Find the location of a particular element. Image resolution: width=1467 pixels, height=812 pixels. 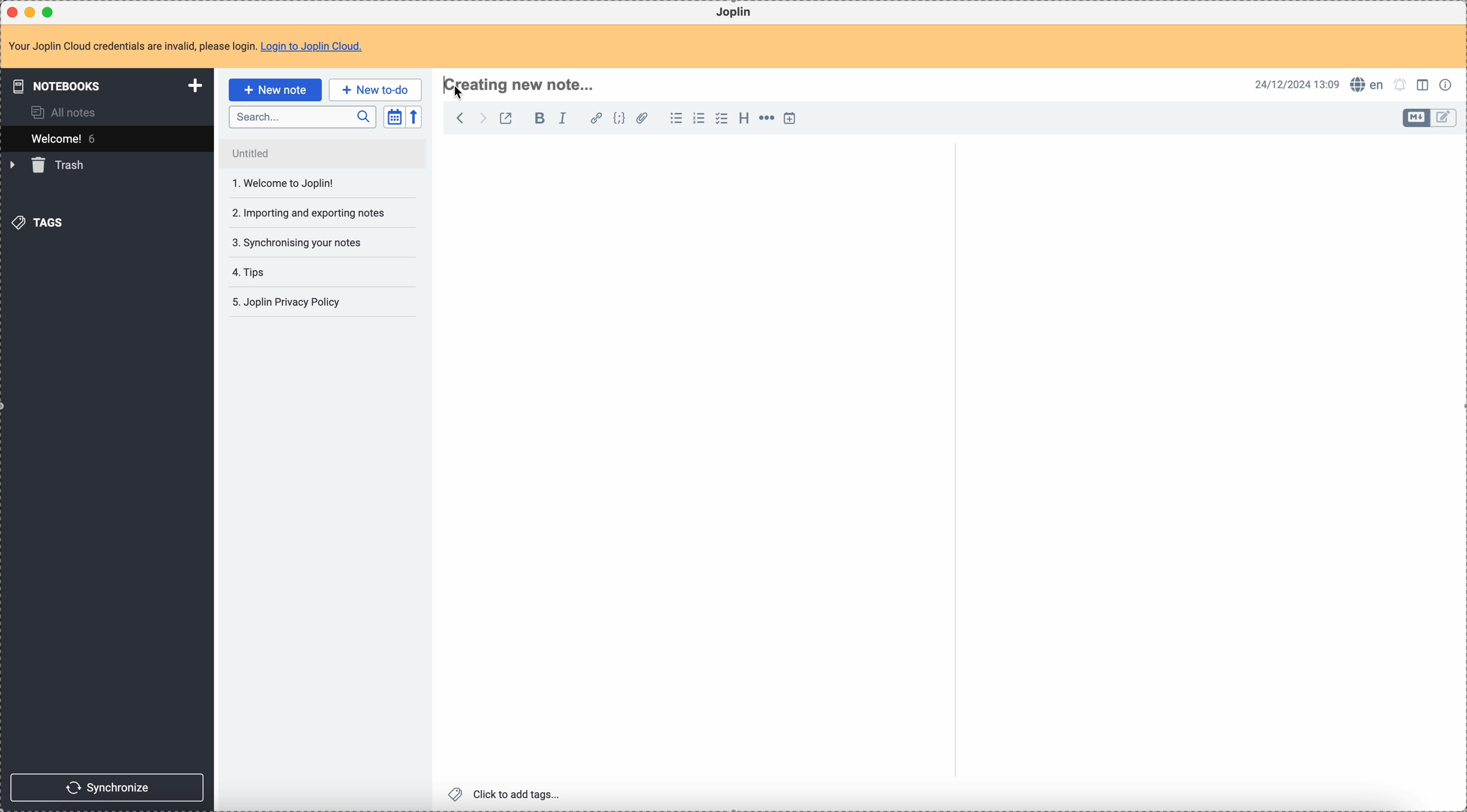

toggle edit layout is located at coordinates (1417, 118).